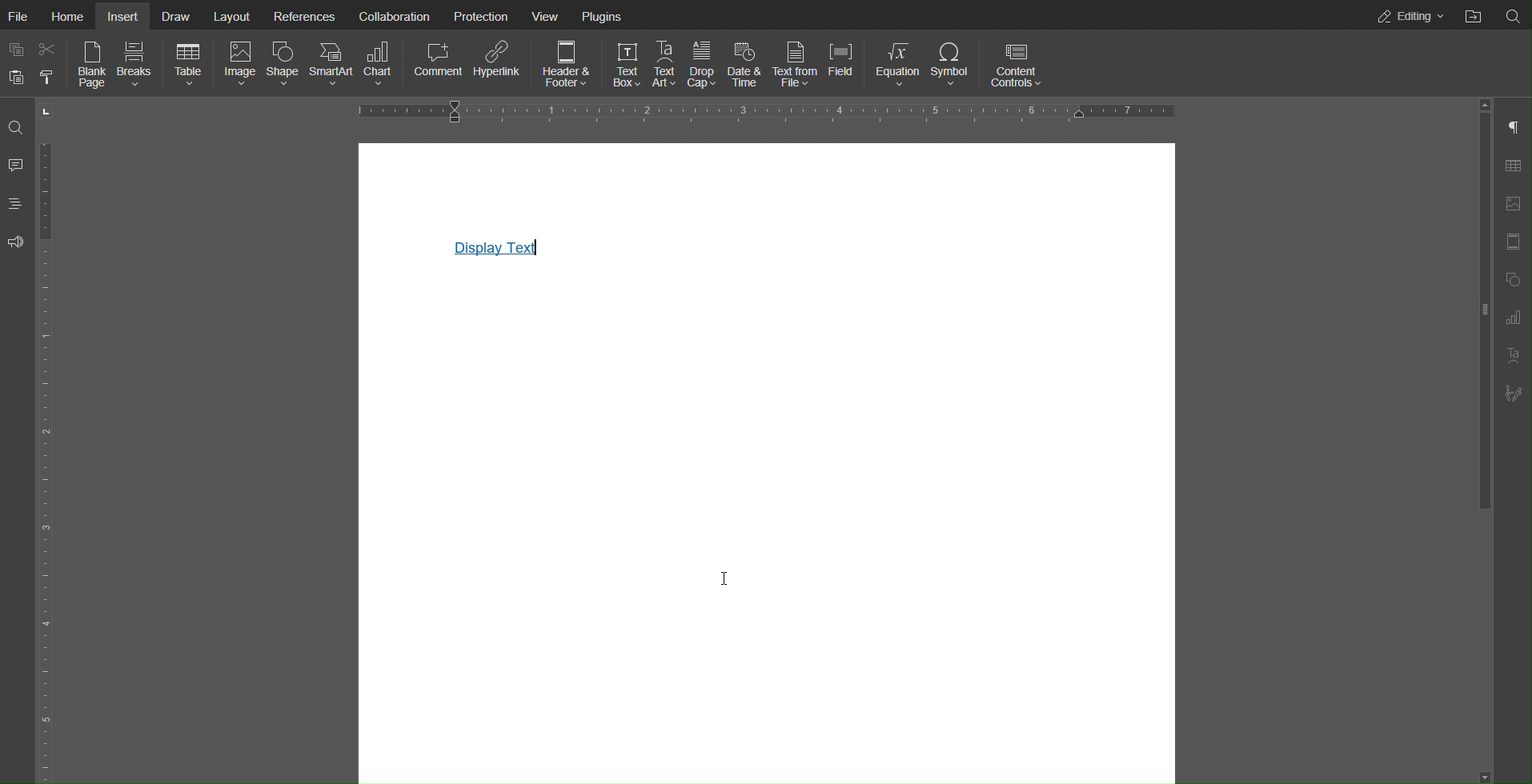 The image size is (1532, 784). I want to click on File, so click(22, 16).